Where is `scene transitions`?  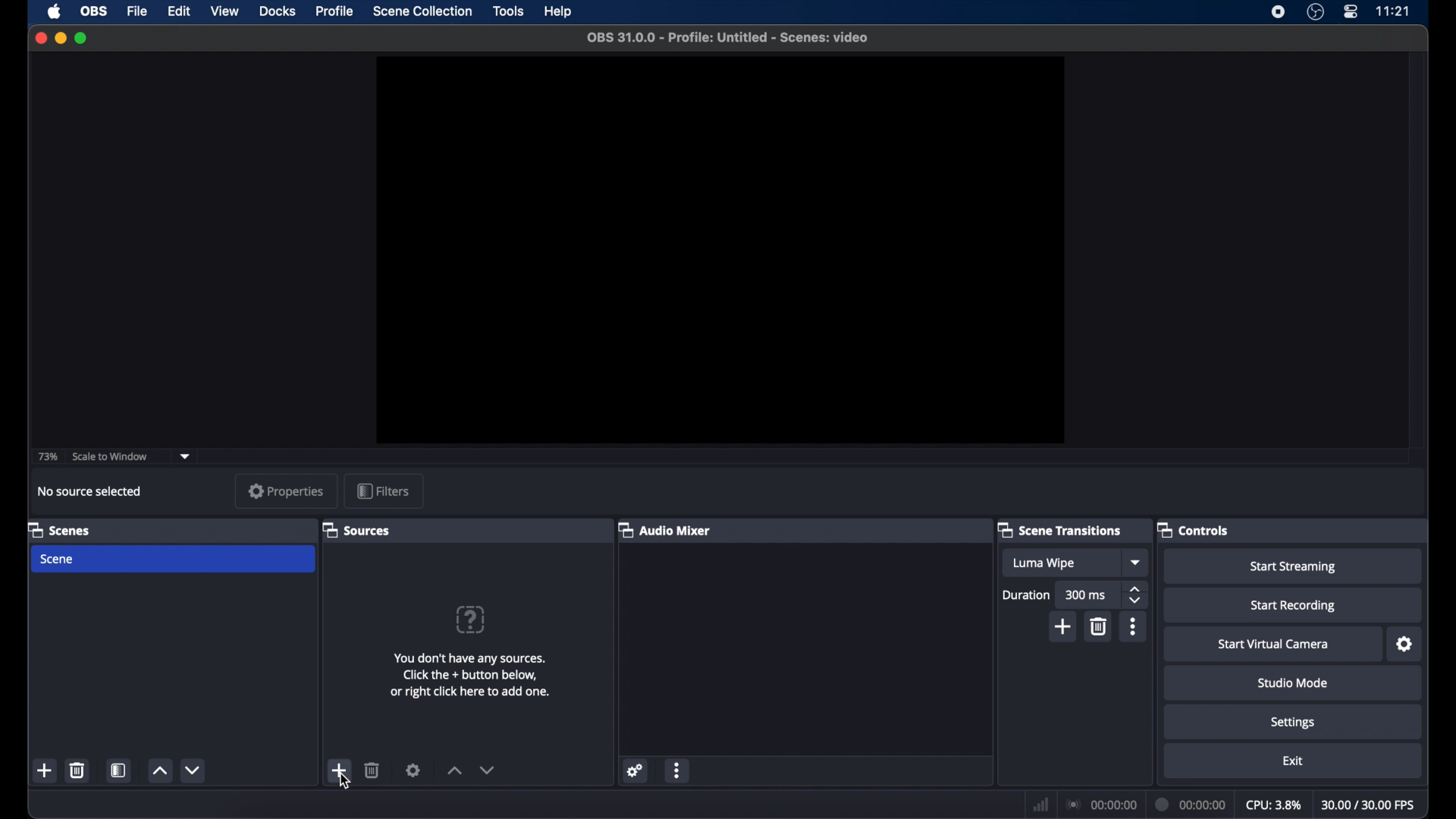 scene transitions is located at coordinates (1060, 529).